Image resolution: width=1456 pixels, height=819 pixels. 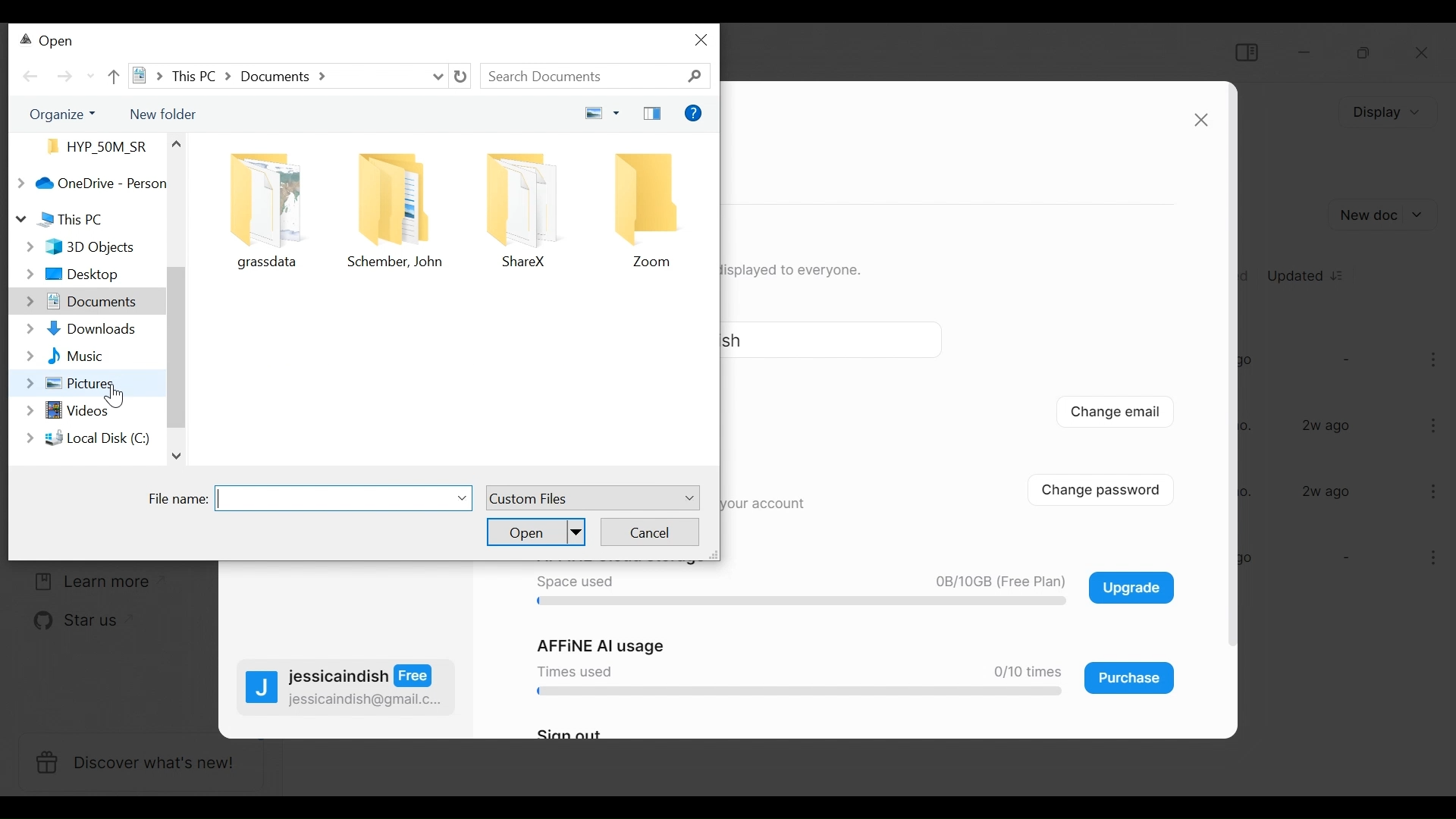 What do you see at coordinates (573, 582) in the screenshot?
I see `Space used` at bounding box center [573, 582].